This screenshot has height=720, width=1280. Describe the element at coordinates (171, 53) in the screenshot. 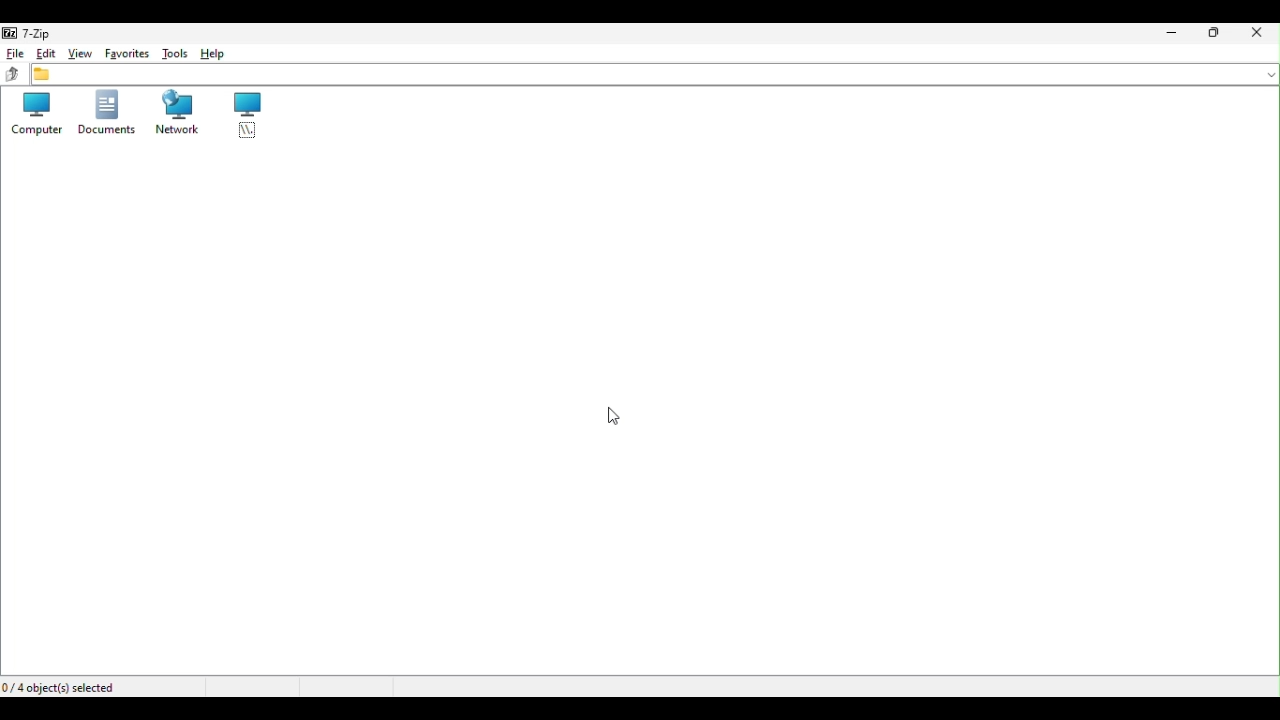

I see `Tools` at that location.